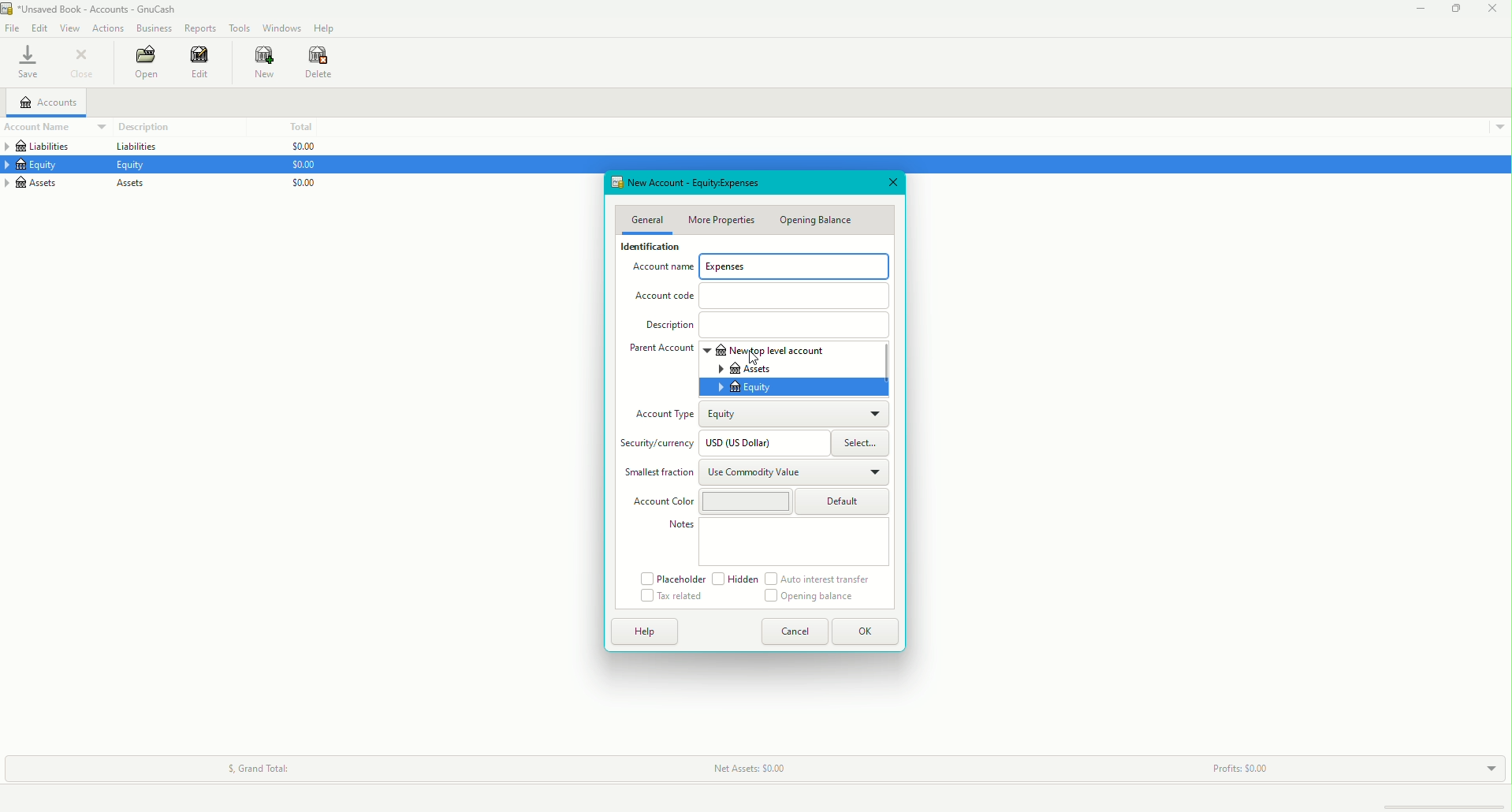 The image size is (1512, 812). Describe the element at coordinates (238, 25) in the screenshot. I see `Tools` at that location.